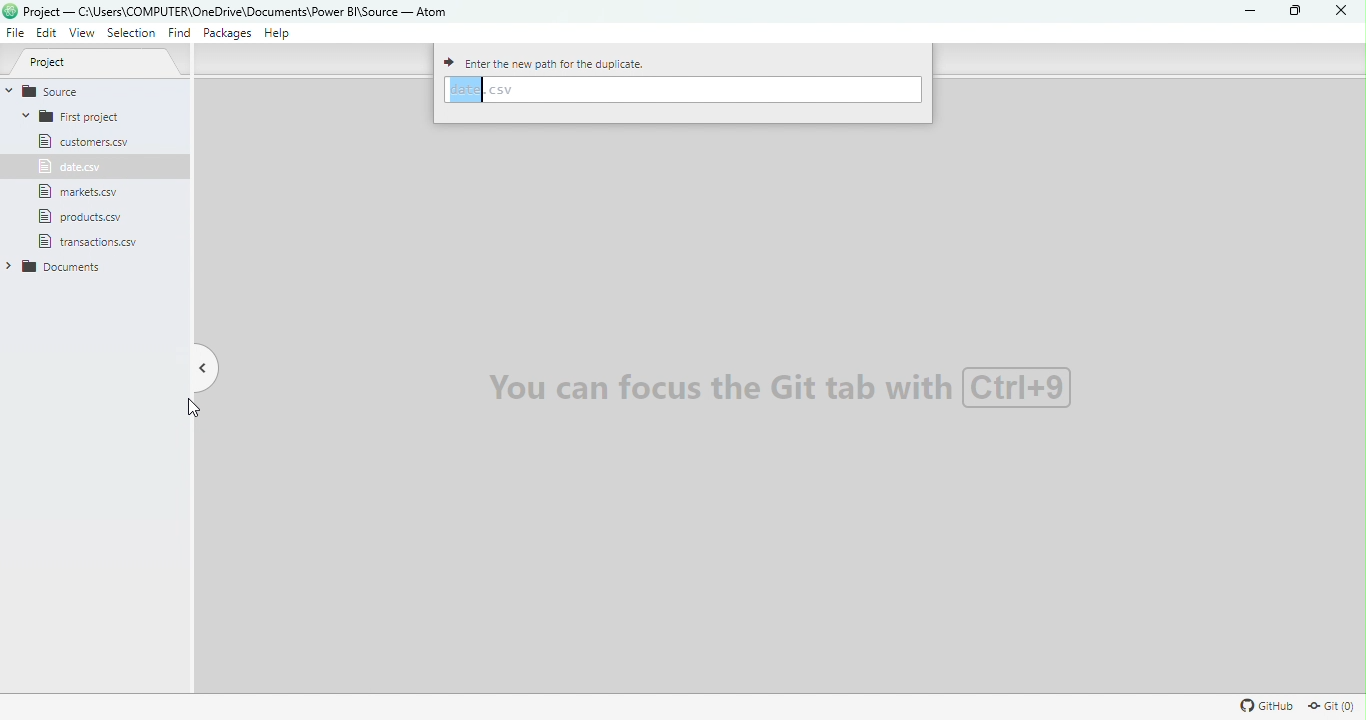 This screenshot has width=1366, height=720. I want to click on File, so click(66, 167).